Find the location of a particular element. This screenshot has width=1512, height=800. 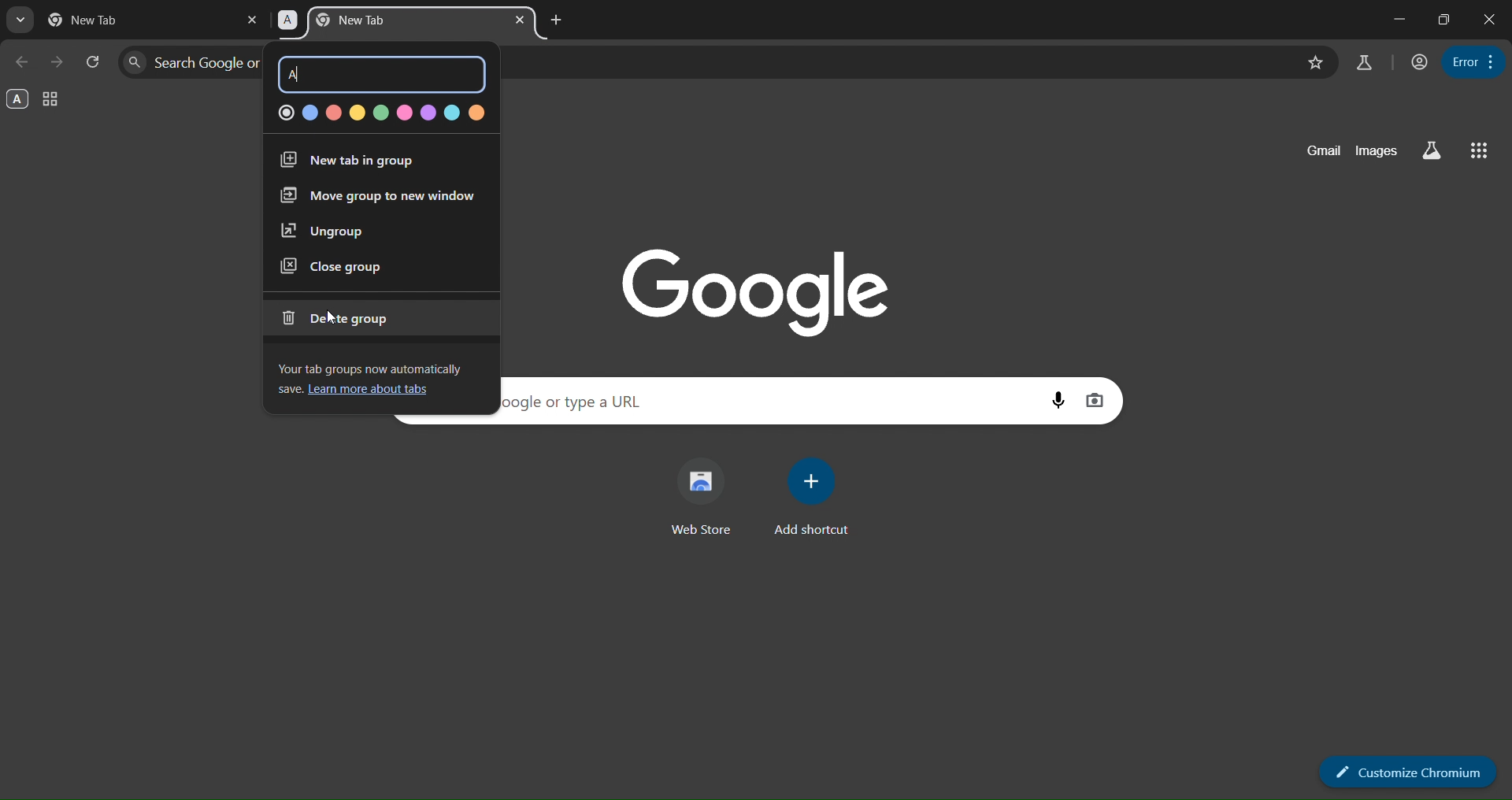

close grp is located at coordinates (332, 267).